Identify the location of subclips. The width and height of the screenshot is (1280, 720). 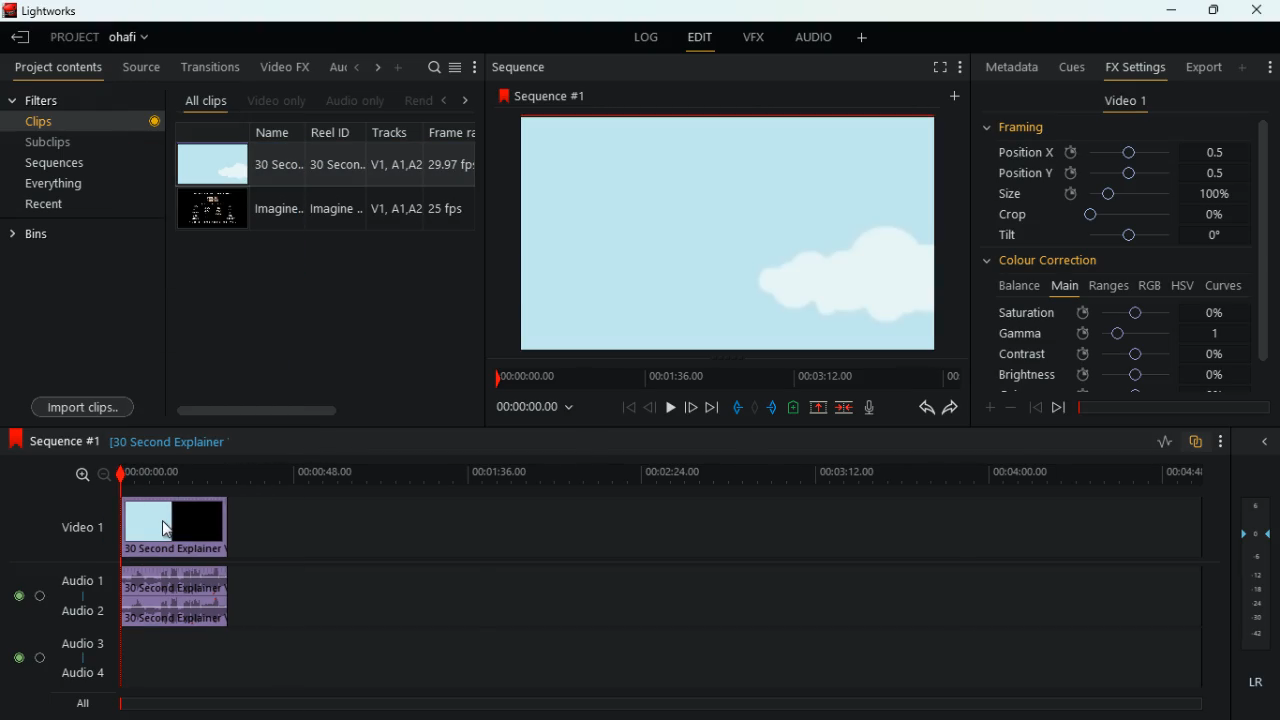
(78, 140).